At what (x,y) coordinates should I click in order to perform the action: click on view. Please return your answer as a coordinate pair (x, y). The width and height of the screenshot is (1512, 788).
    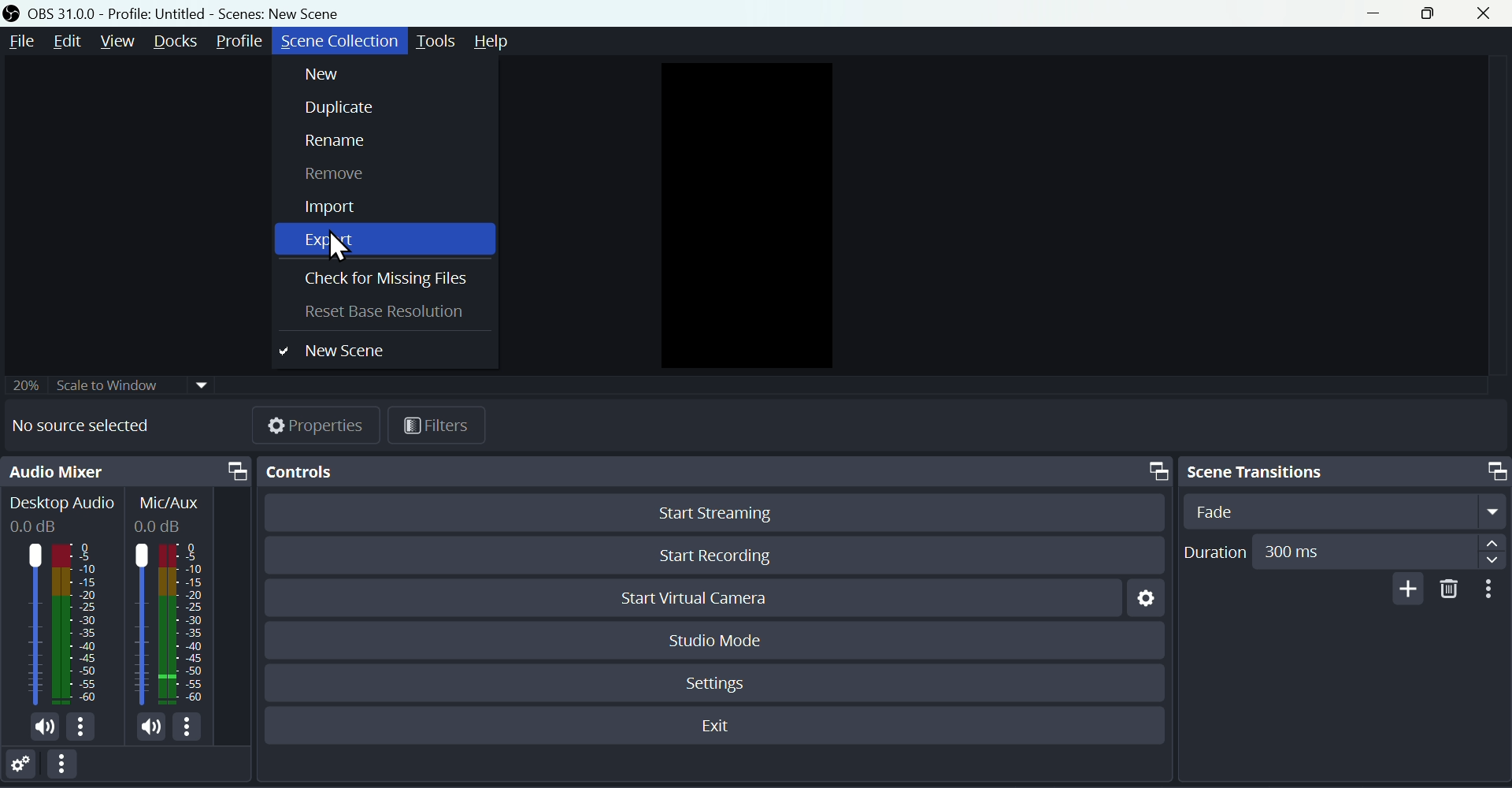
    Looking at the image, I should click on (119, 40).